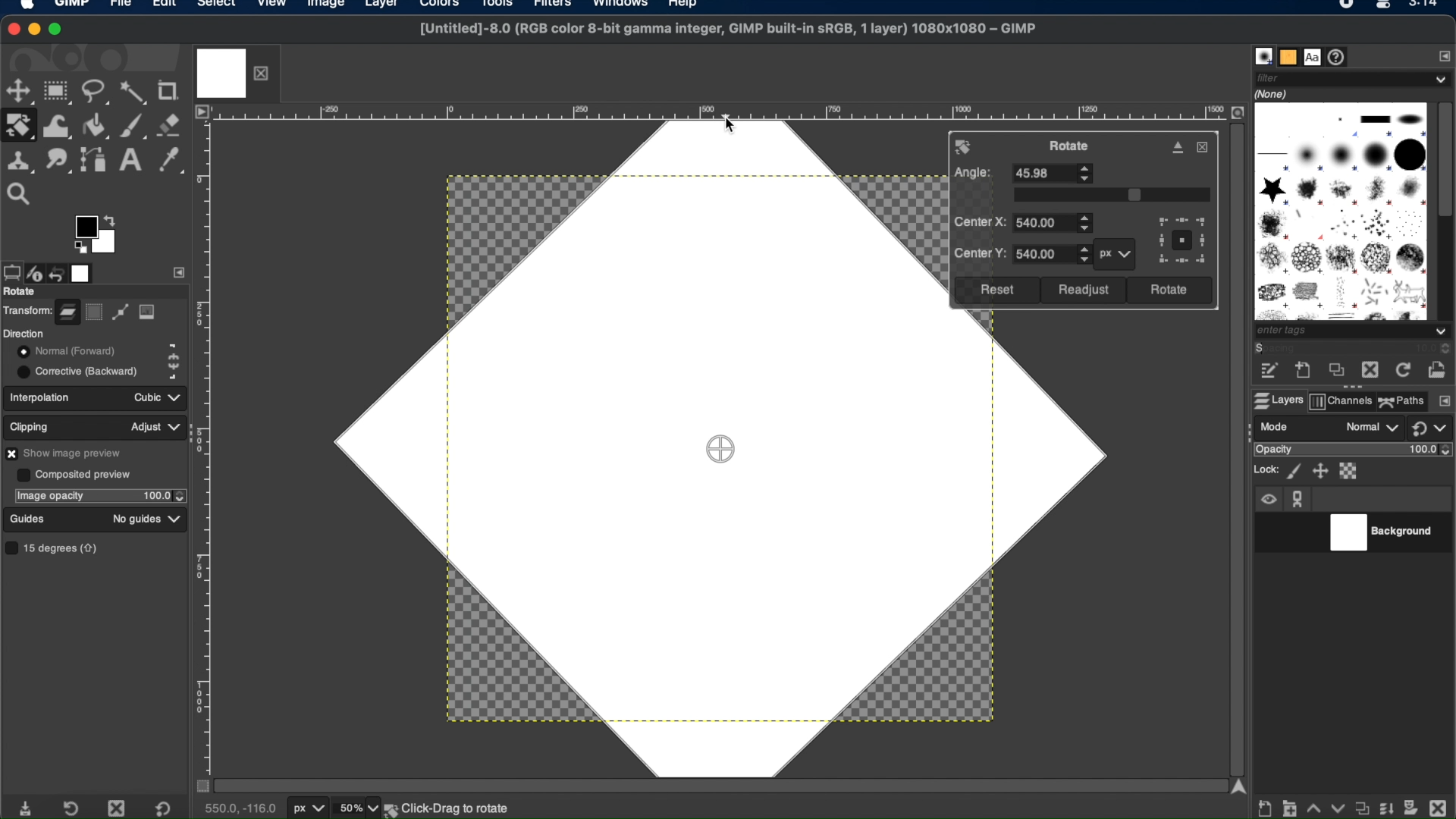 The height and width of the screenshot is (819, 1456). I want to click on text tool , so click(130, 160).